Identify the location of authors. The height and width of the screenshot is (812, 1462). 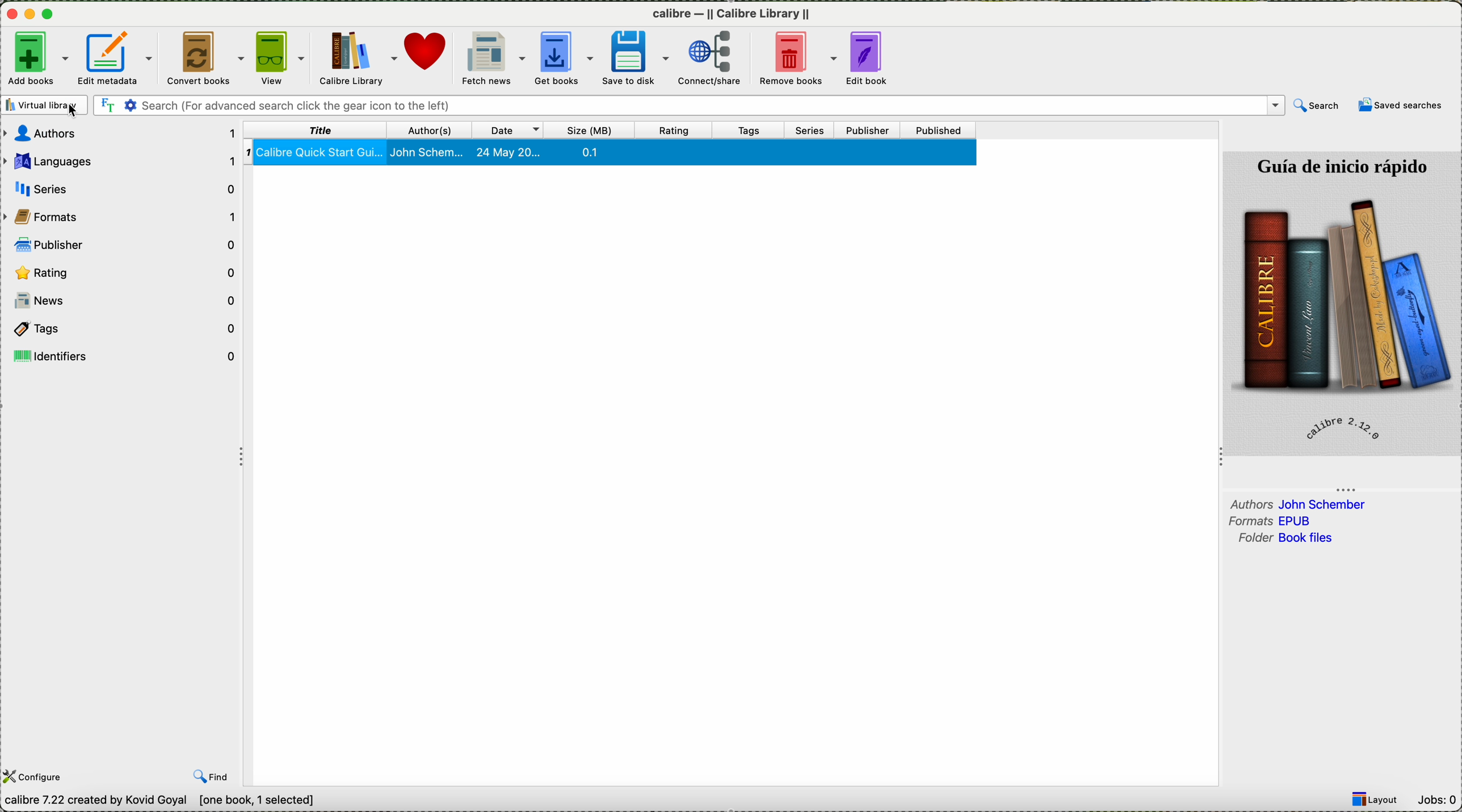
(430, 130).